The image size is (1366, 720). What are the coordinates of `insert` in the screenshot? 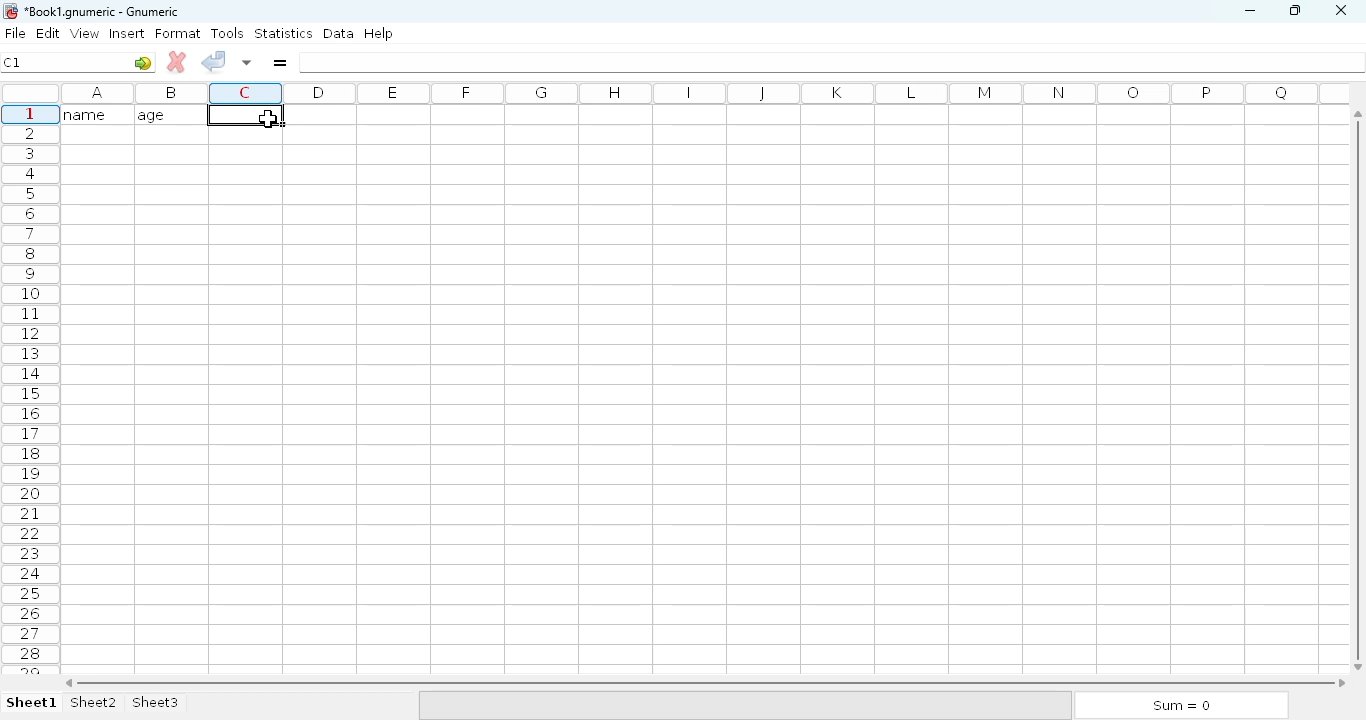 It's located at (127, 33).